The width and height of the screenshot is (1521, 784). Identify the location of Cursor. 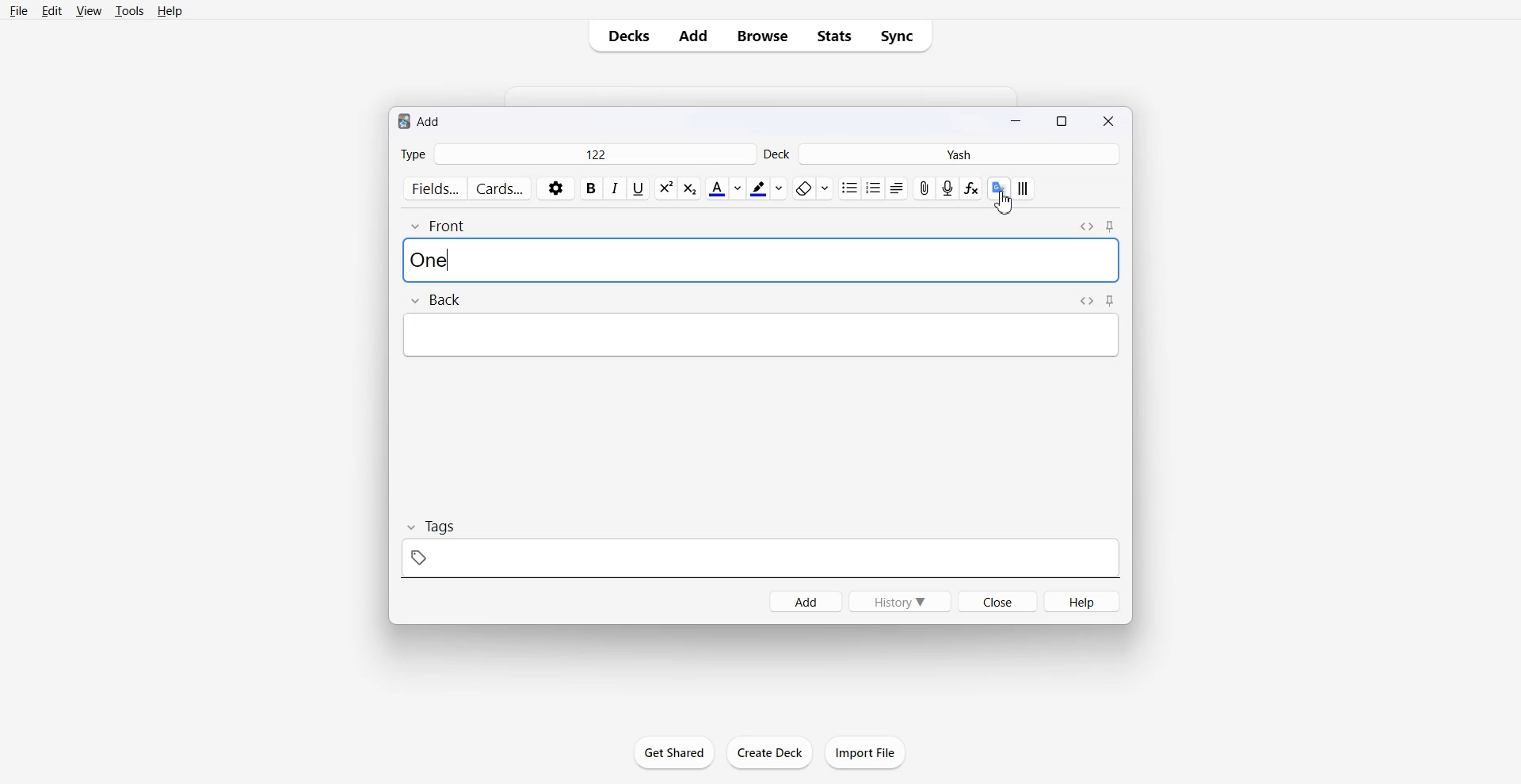
(1002, 204).